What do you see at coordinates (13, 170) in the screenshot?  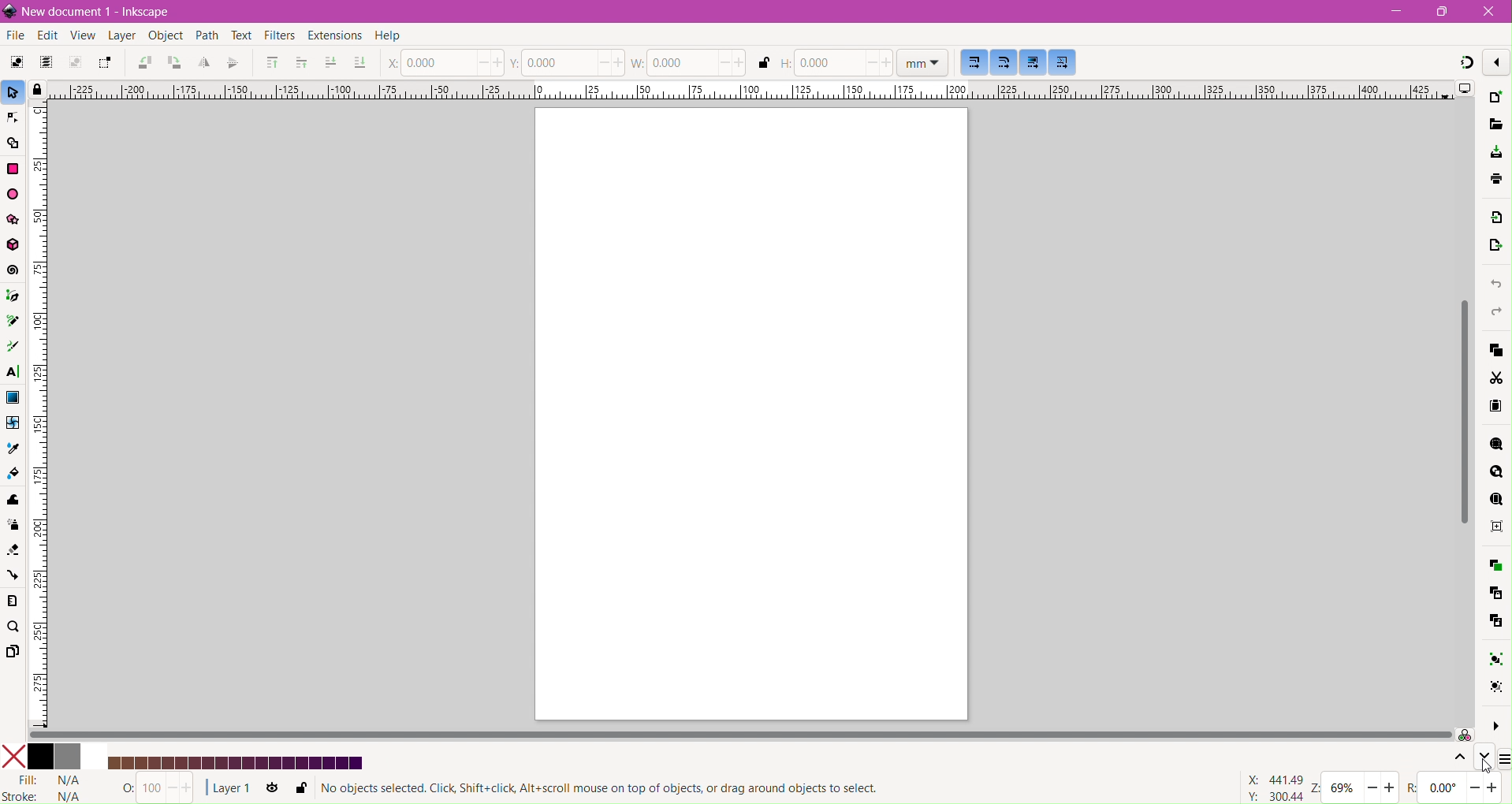 I see `Rectangle Tool` at bounding box center [13, 170].